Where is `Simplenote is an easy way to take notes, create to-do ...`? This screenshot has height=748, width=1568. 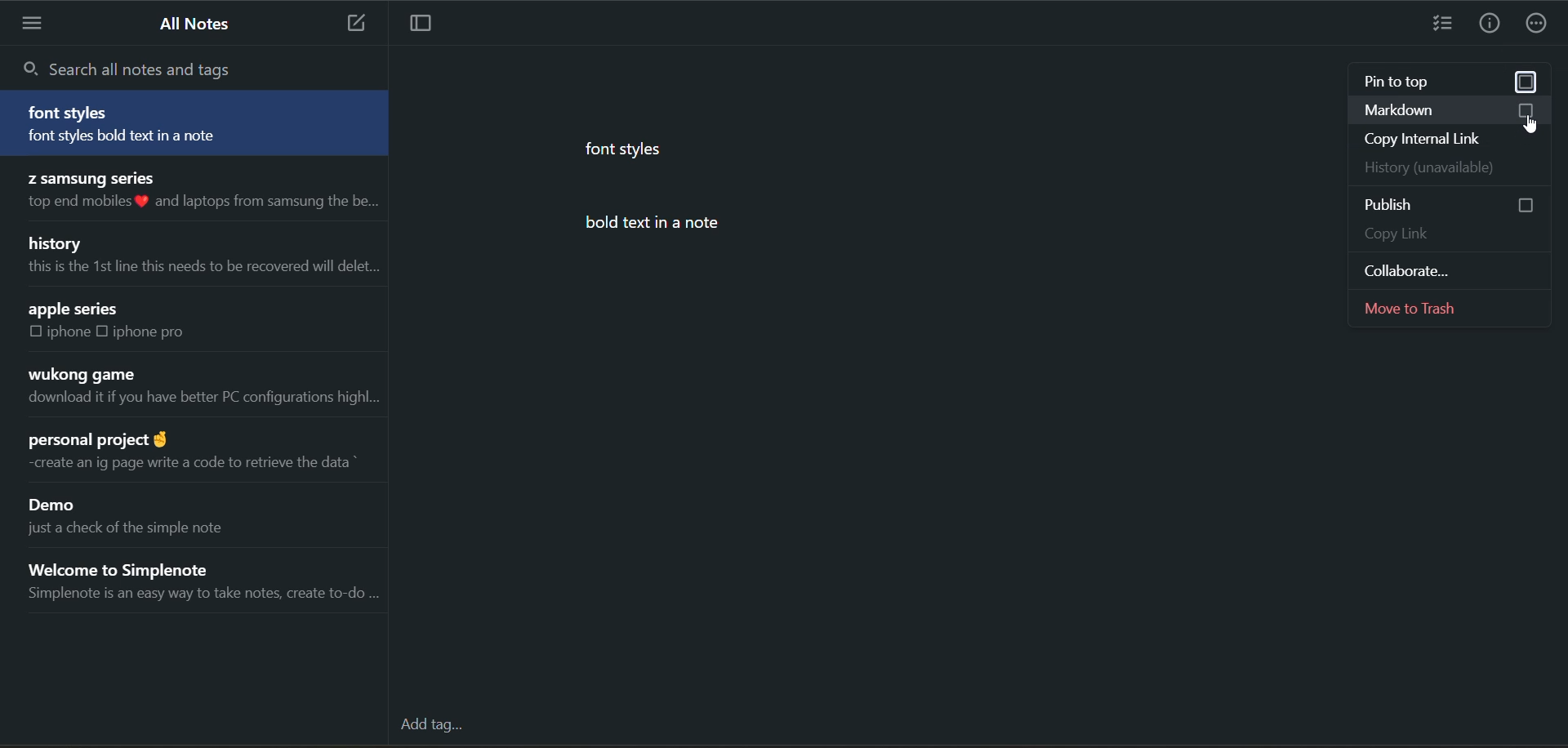 Simplenote is an easy way to take notes, create to-do ... is located at coordinates (202, 597).